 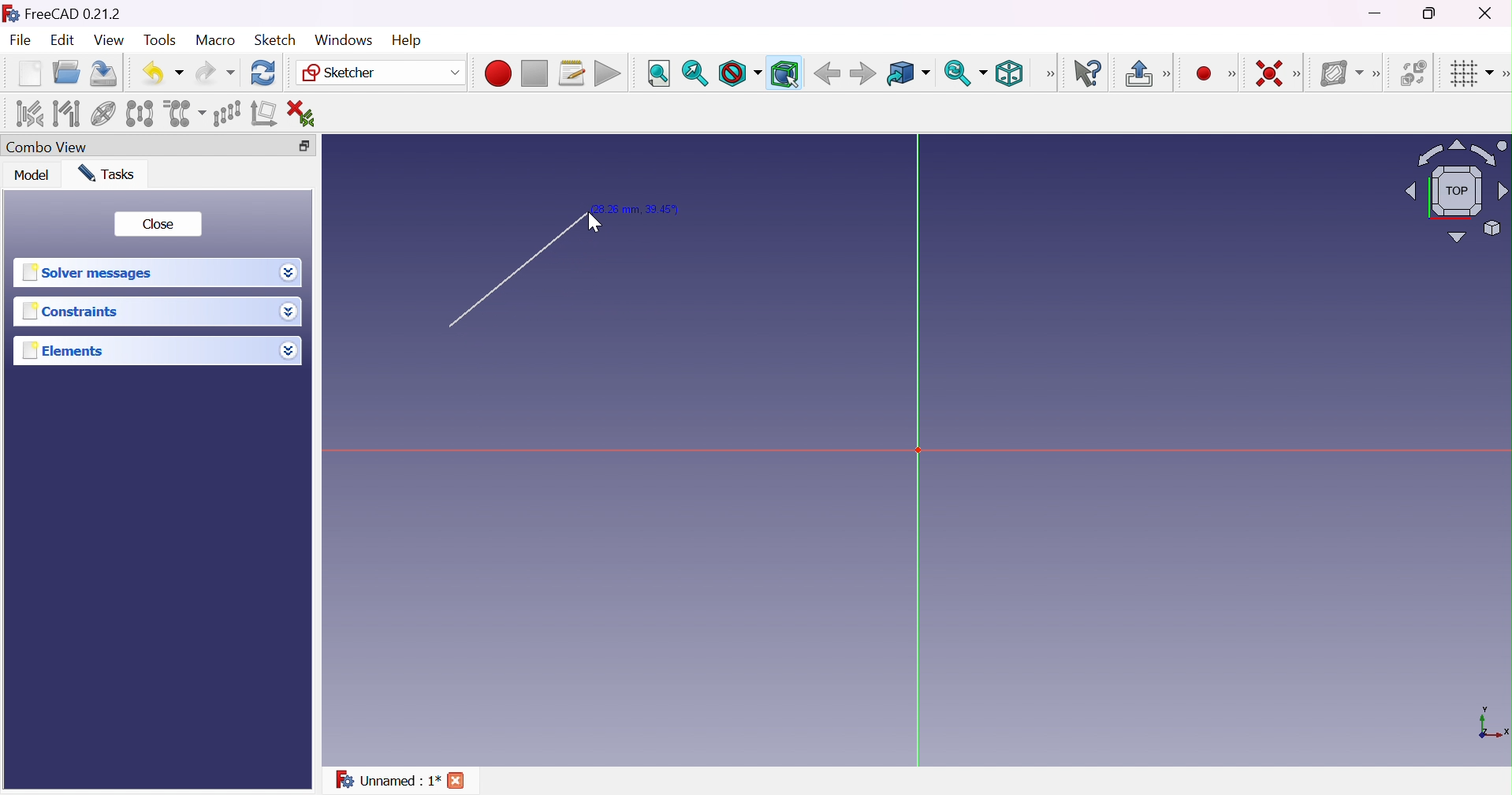 What do you see at coordinates (21, 41) in the screenshot?
I see `File` at bounding box center [21, 41].